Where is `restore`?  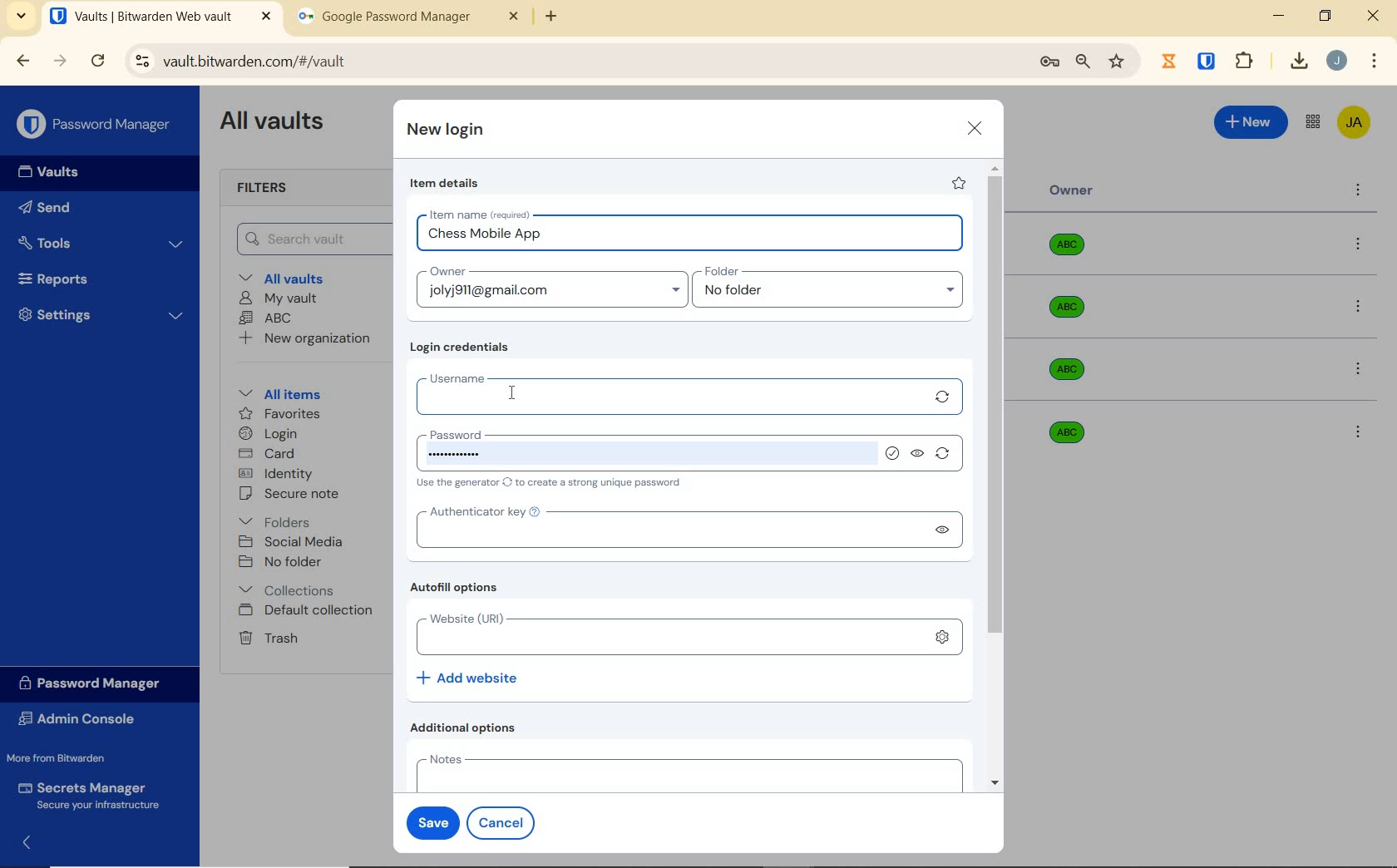
restore is located at coordinates (1324, 16).